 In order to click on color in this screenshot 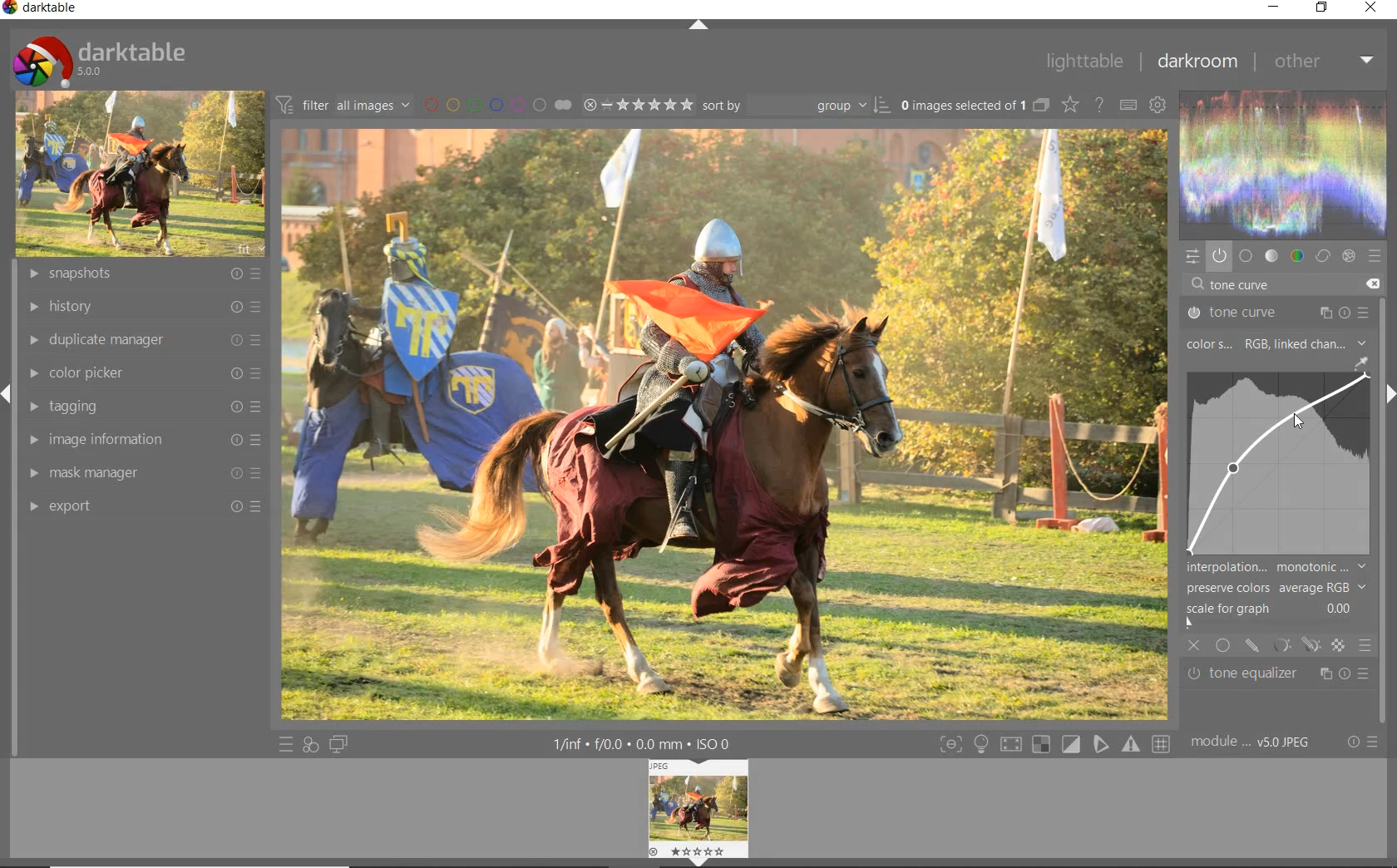, I will do `click(1298, 256)`.